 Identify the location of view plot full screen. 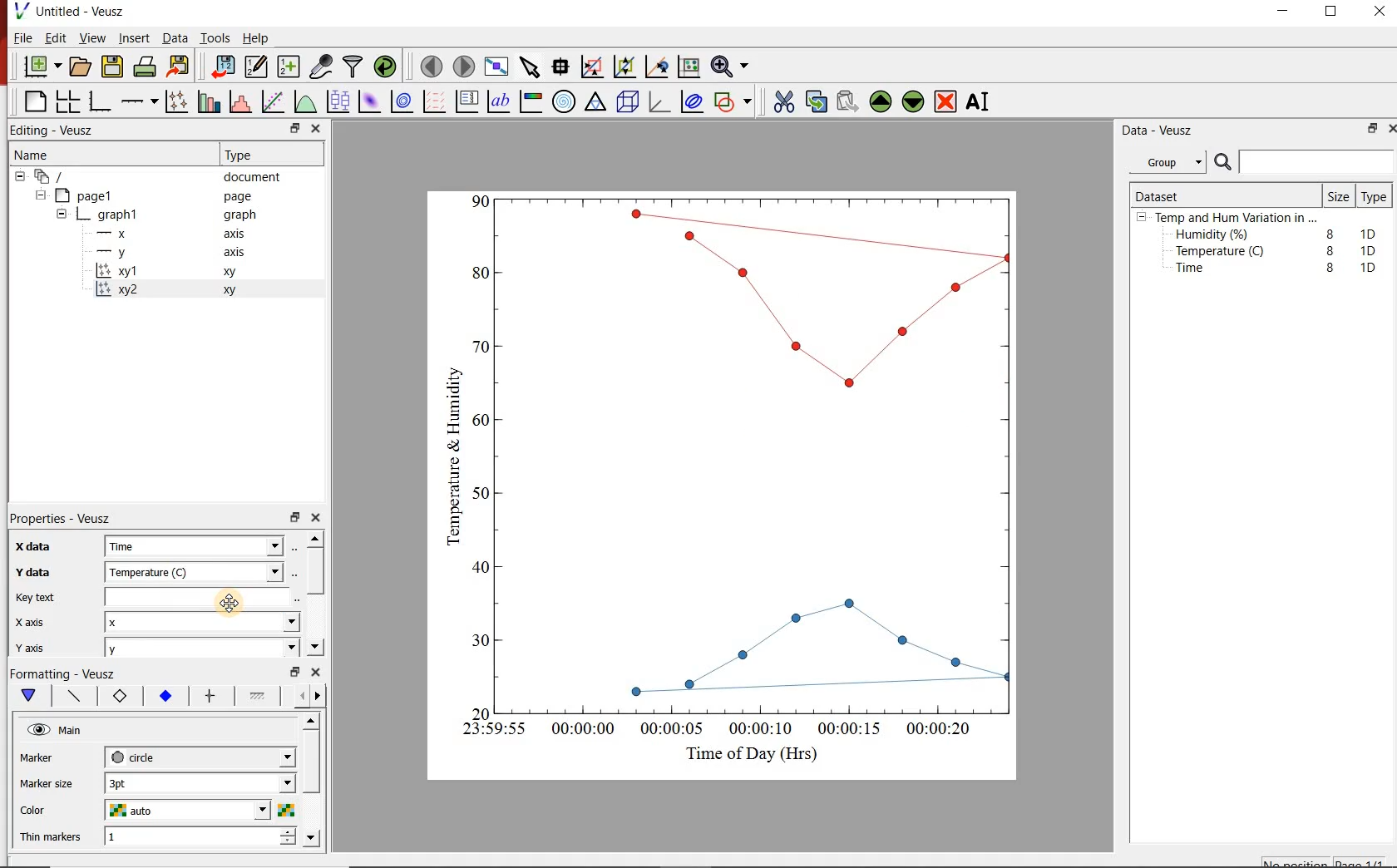
(497, 67).